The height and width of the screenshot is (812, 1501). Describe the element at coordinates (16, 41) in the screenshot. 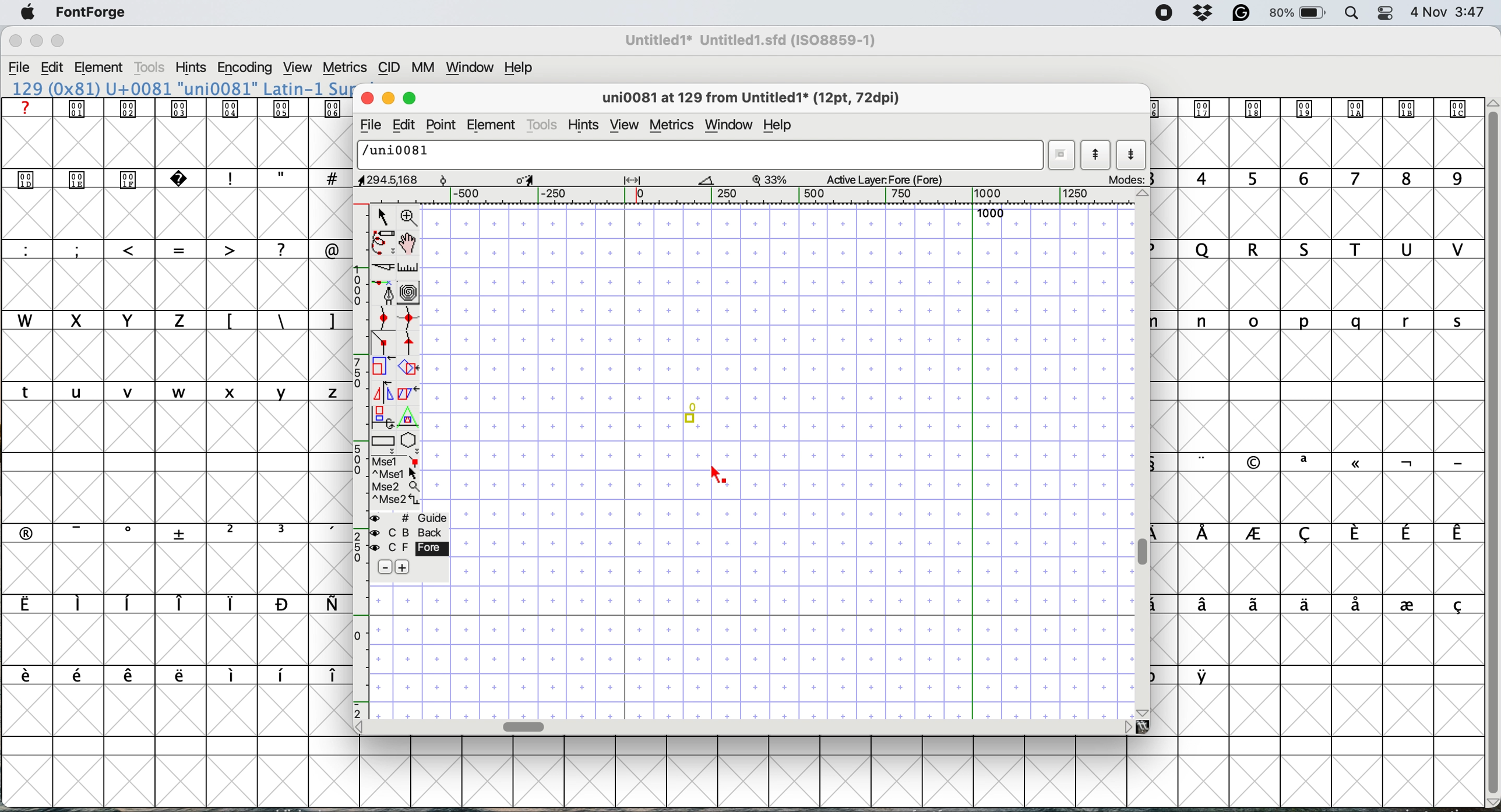

I see `Close` at that location.